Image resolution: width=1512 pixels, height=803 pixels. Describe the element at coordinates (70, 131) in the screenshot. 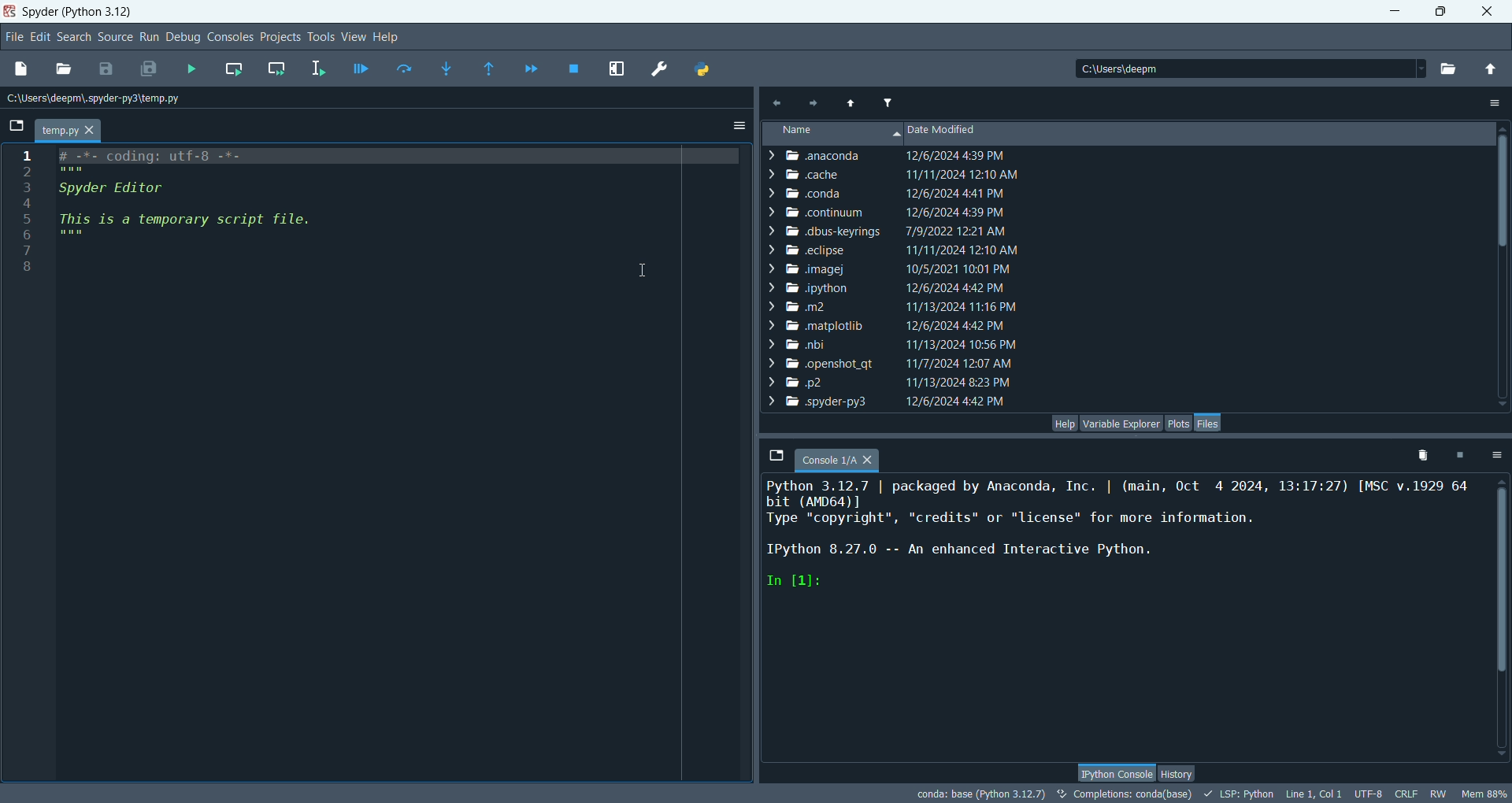

I see `temp.py` at that location.